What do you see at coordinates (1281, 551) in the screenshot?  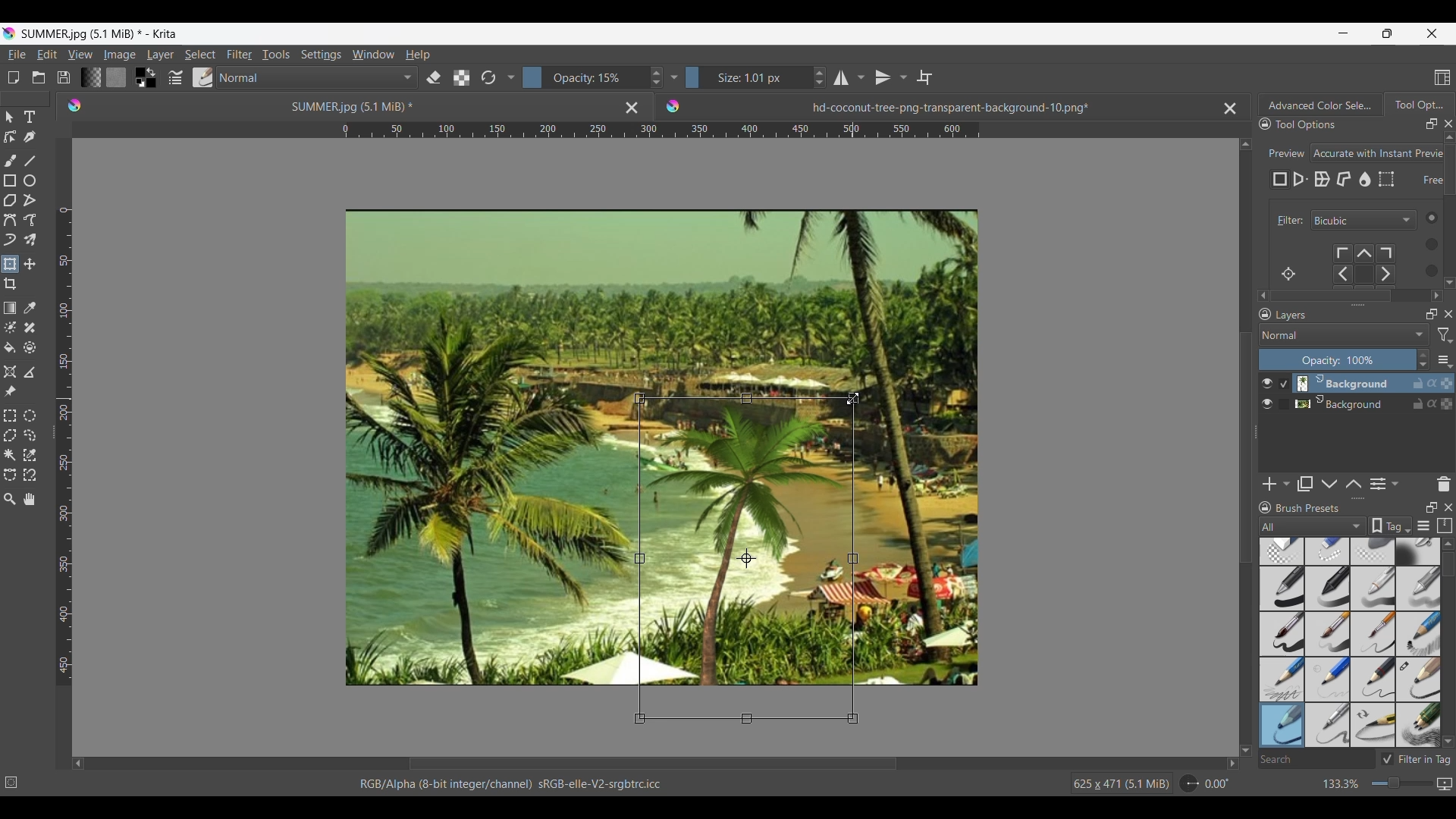 I see `Eraser circle` at bounding box center [1281, 551].